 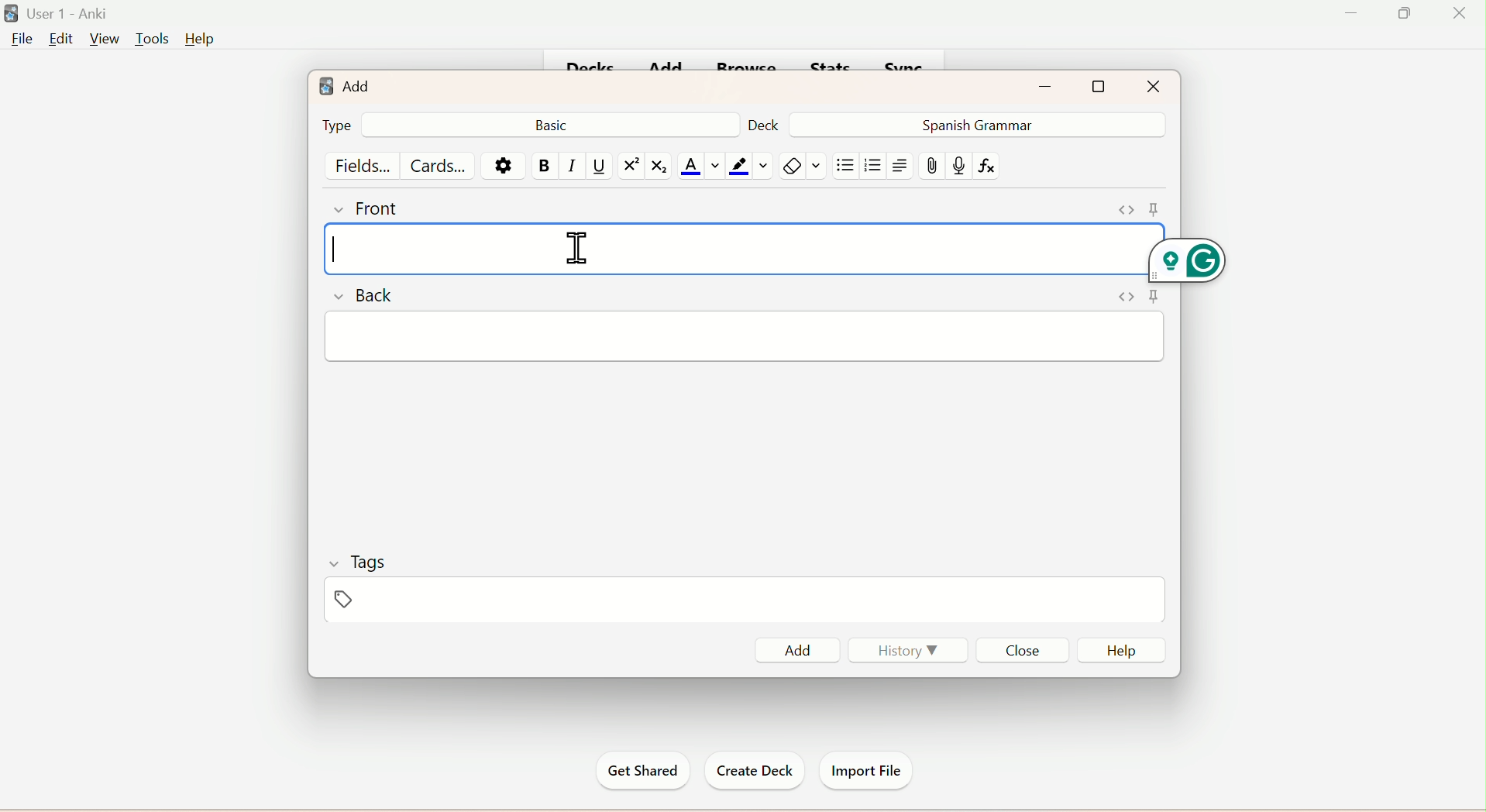 I want to click on Tags, so click(x=369, y=601).